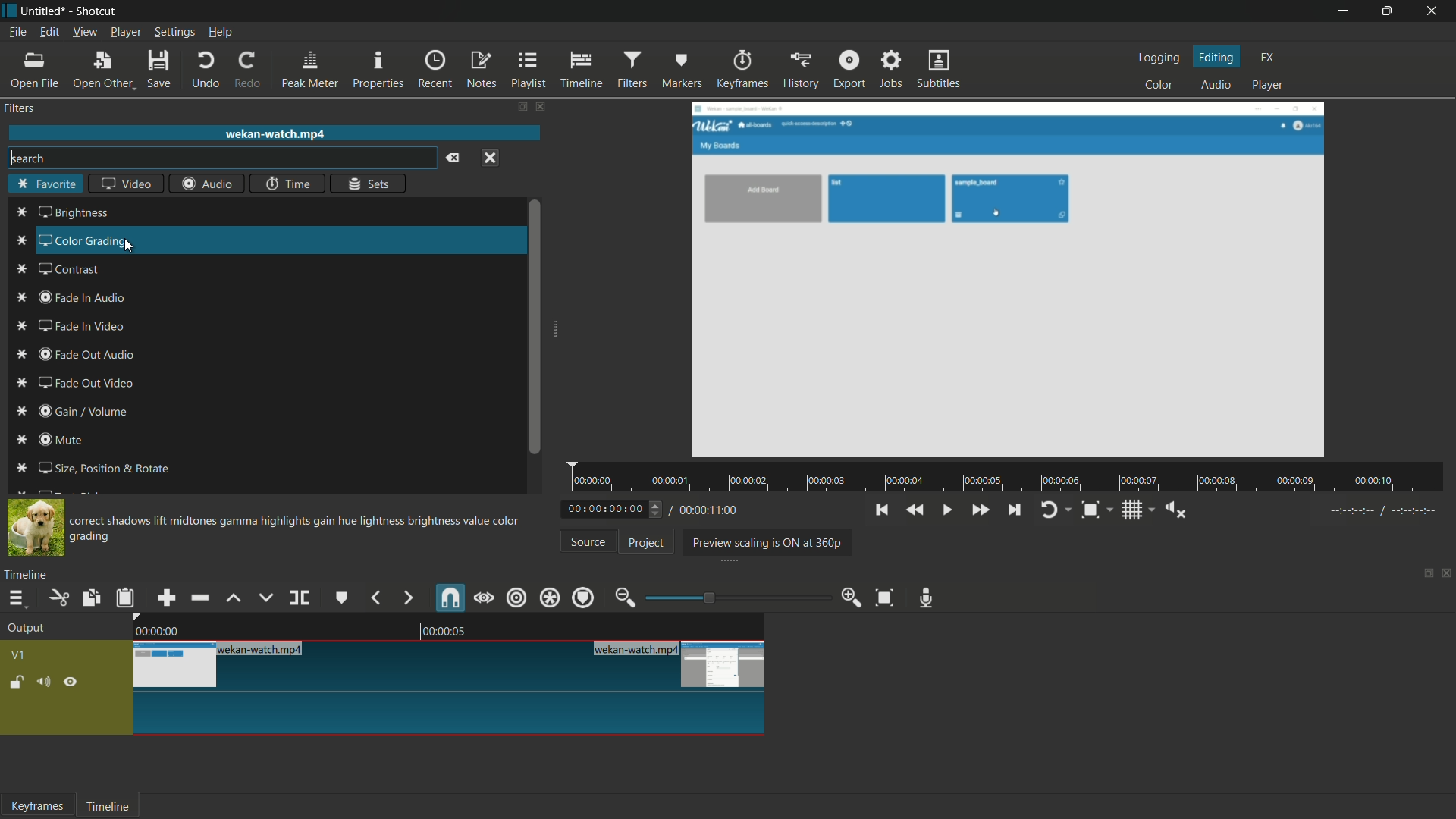  Describe the element at coordinates (435, 70) in the screenshot. I see `recent` at that location.